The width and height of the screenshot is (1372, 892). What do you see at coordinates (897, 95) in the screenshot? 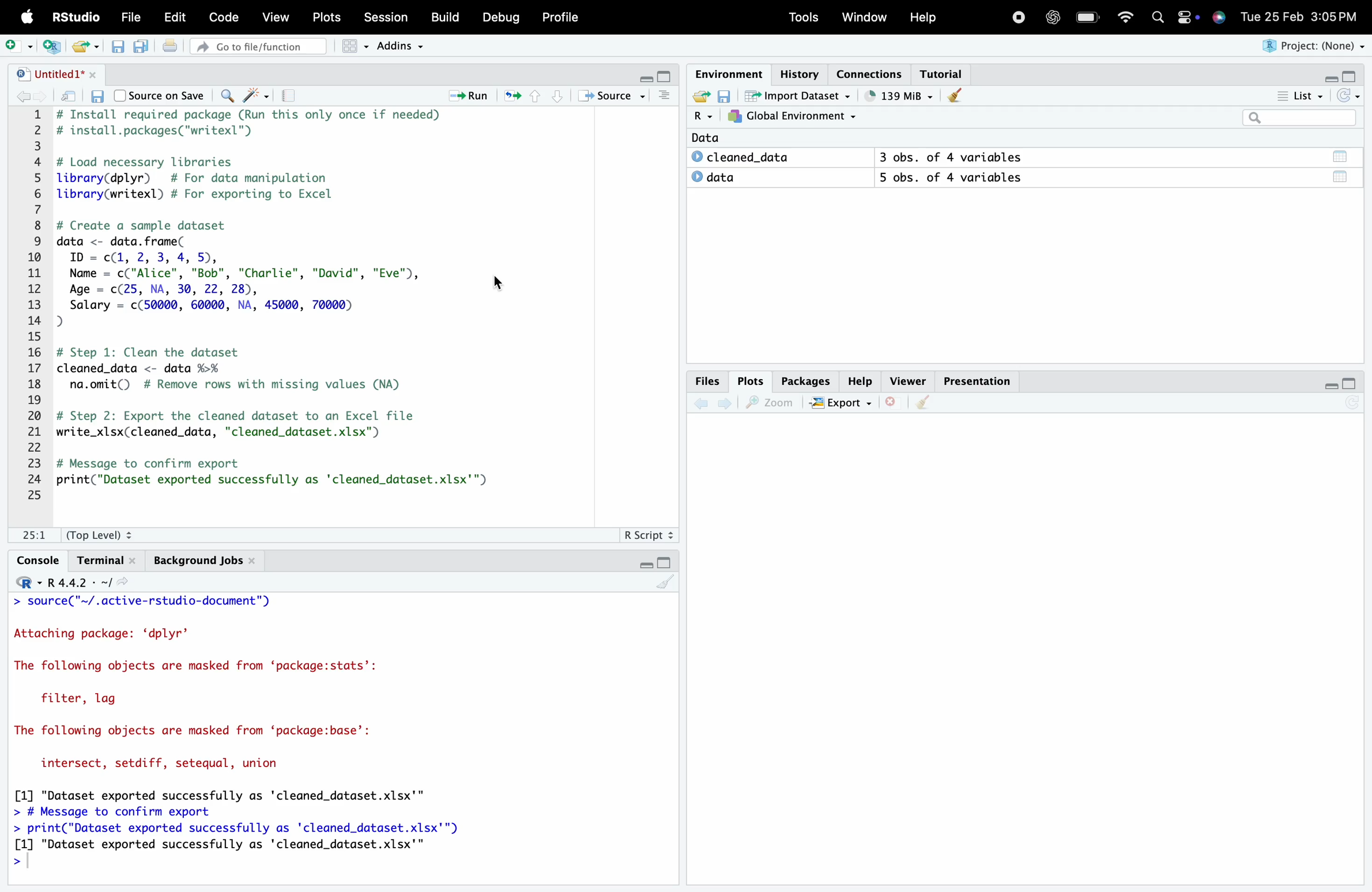
I see `121kib used by R session (Source: Windows System)` at bounding box center [897, 95].